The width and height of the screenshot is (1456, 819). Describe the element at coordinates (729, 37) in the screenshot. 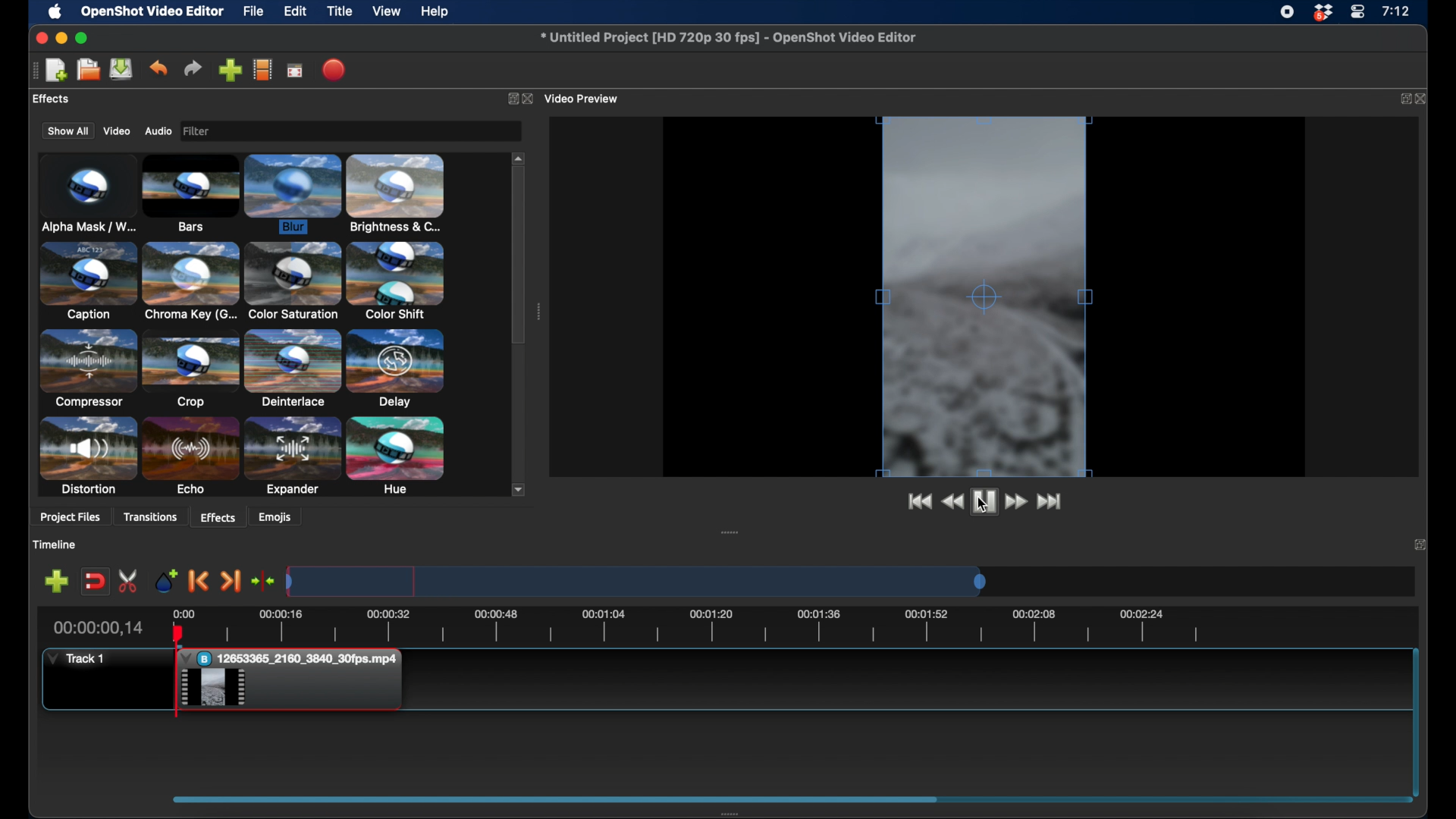

I see `file name` at that location.